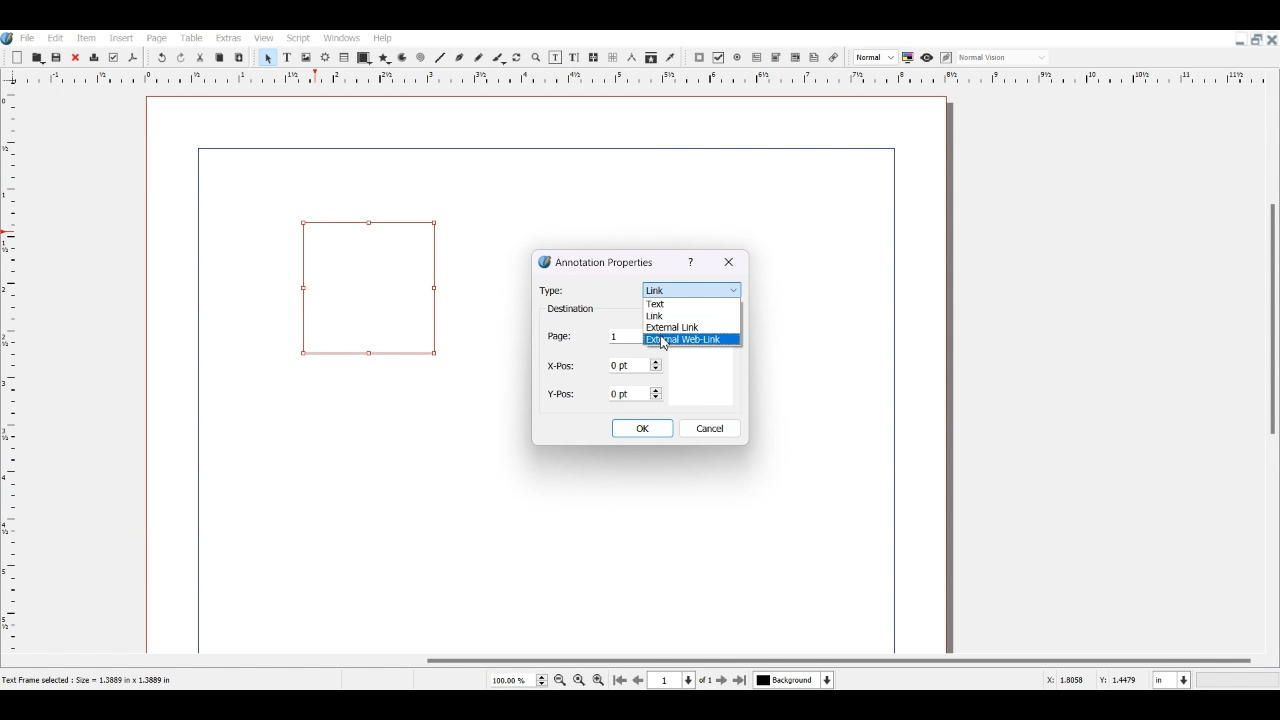 Image resolution: width=1280 pixels, height=720 pixels. I want to click on Select Current Page, so click(518, 680).